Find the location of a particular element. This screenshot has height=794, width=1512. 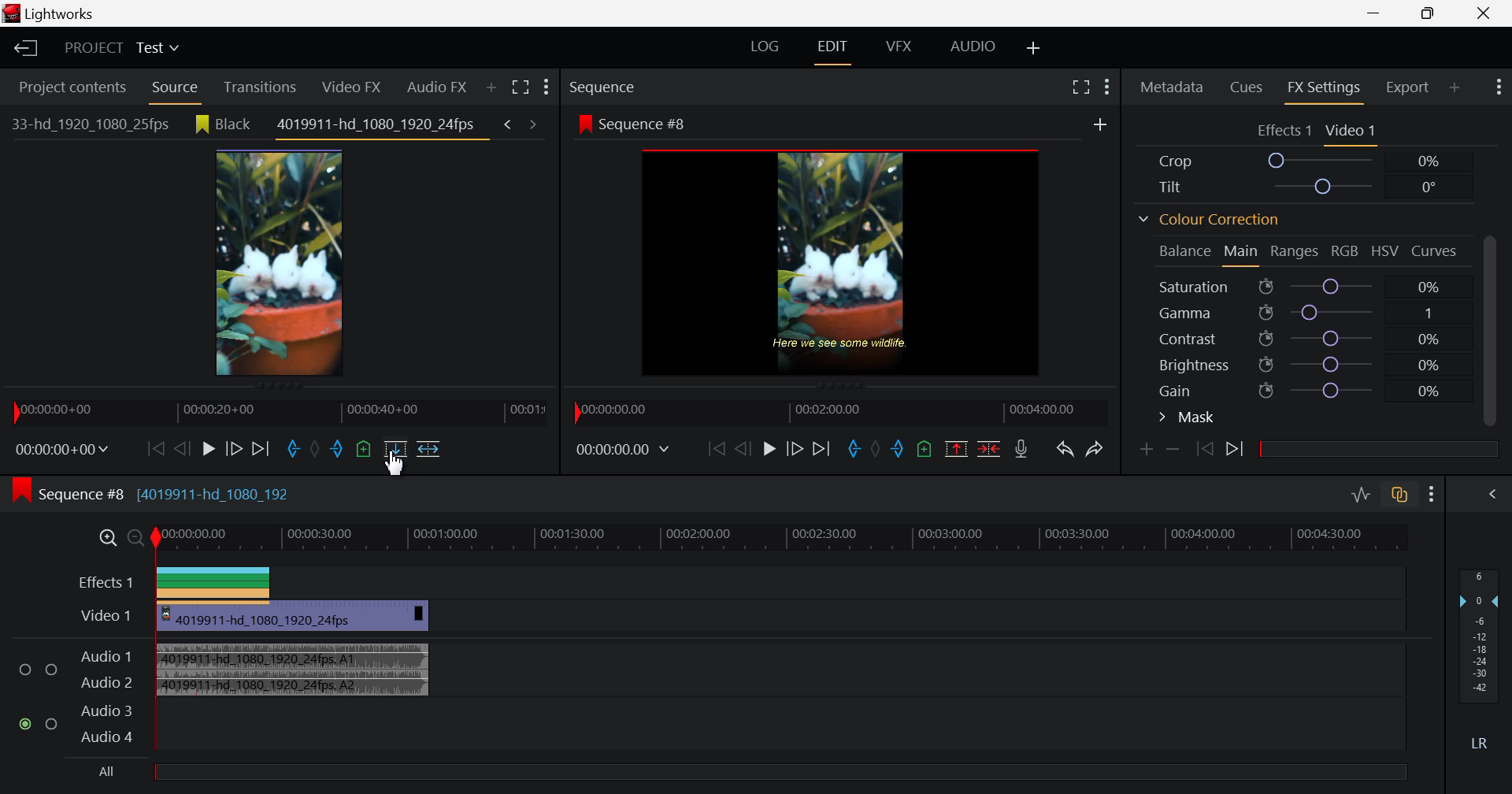

Show Settings is located at coordinates (1111, 83).